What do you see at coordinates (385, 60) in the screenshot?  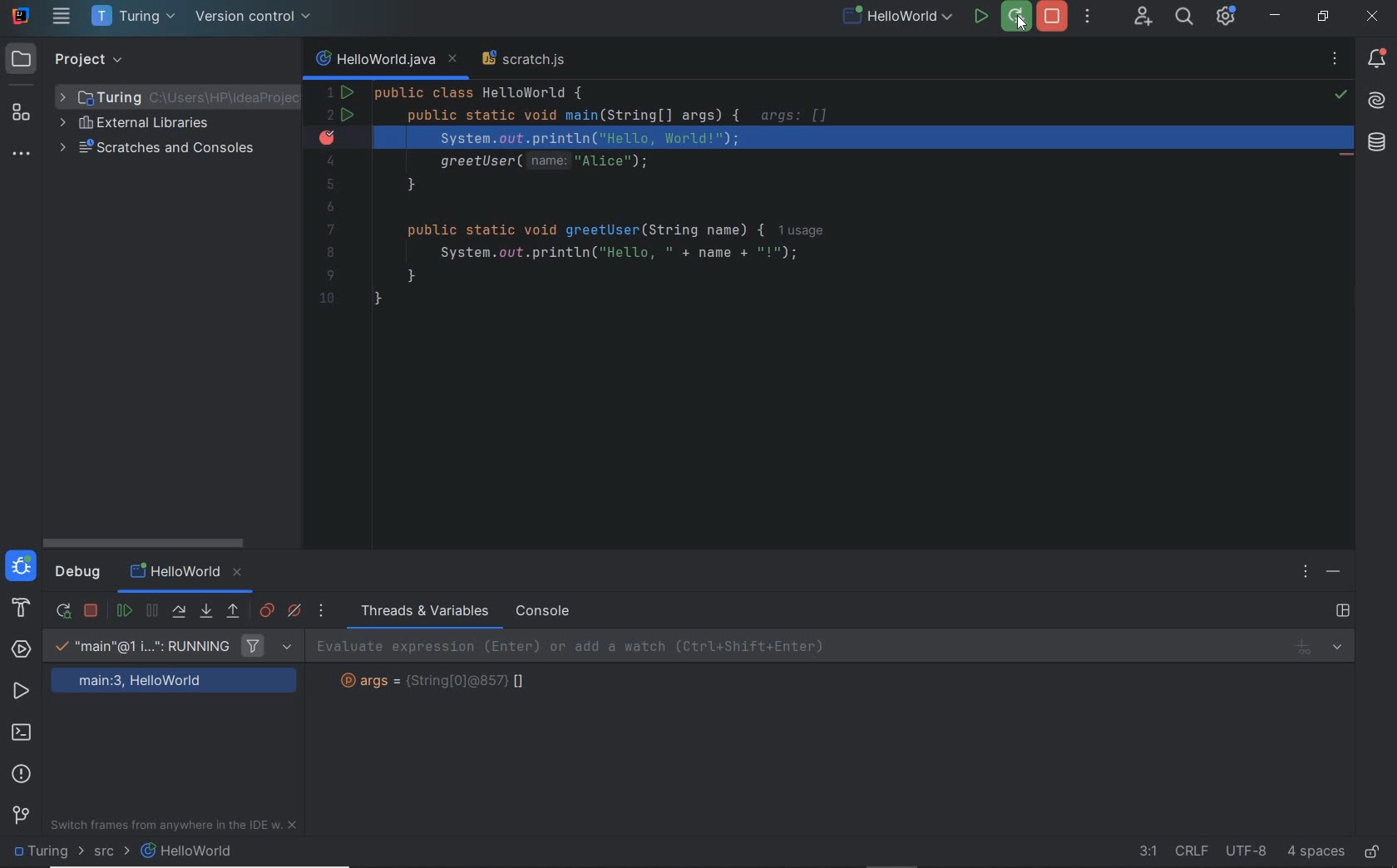 I see `current file name` at bounding box center [385, 60].